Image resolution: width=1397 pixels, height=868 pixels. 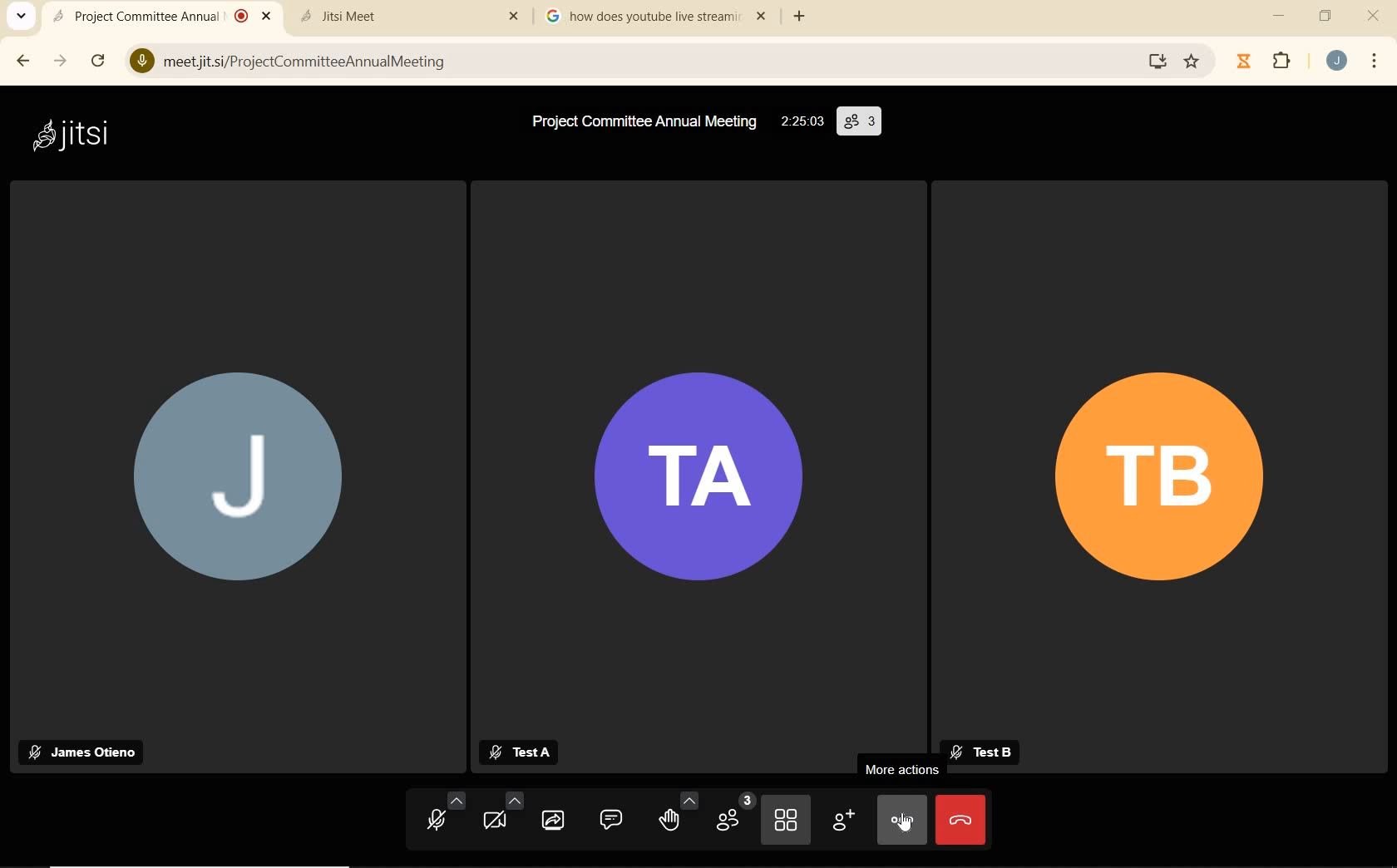 What do you see at coordinates (765, 17) in the screenshot?
I see `close` at bounding box center [765, 17].